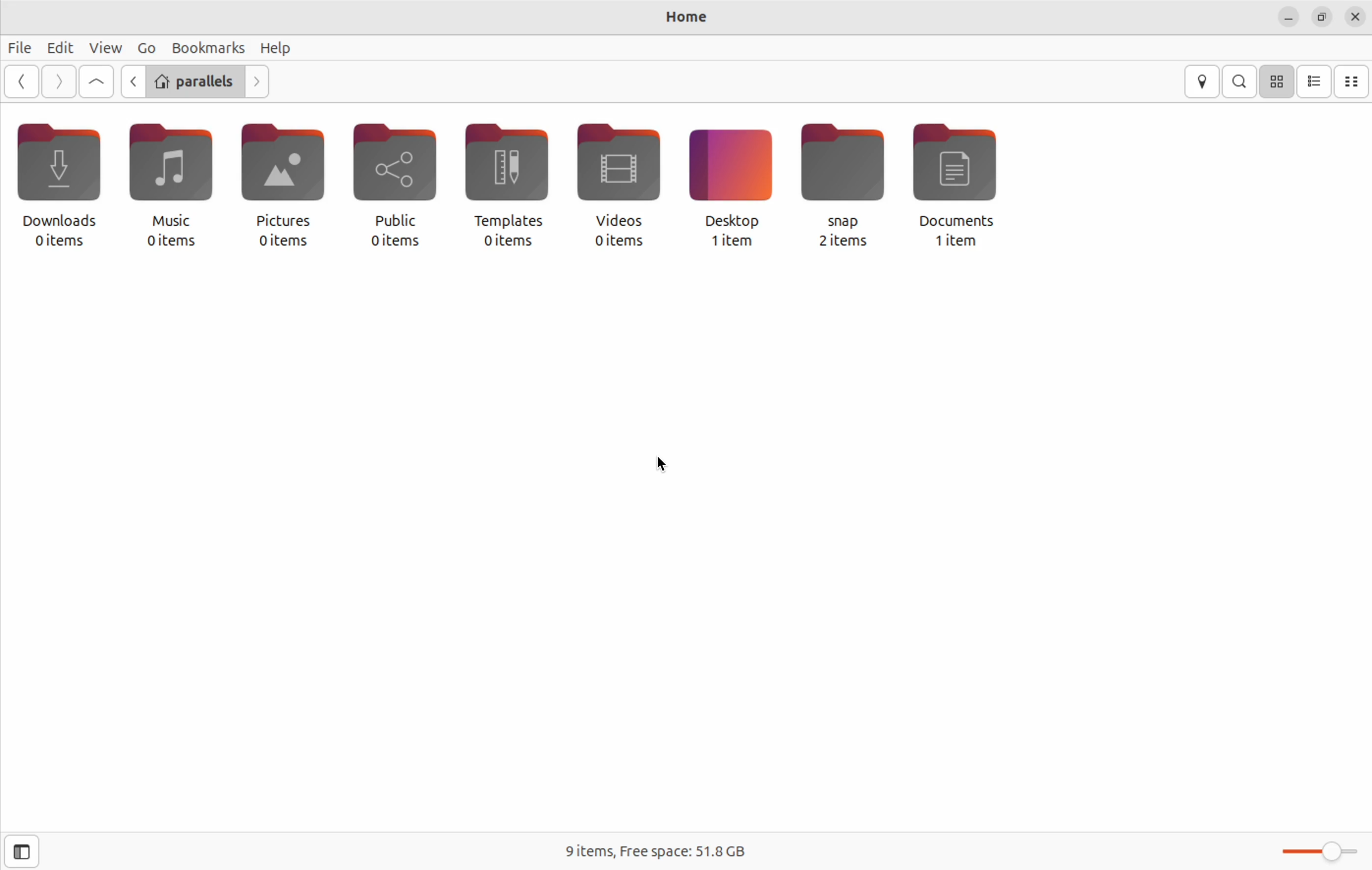 This screenshot has height=870, width=1372. Describe the element at coordinates (59, 82) in the screenshot. I see `forward` at that location.